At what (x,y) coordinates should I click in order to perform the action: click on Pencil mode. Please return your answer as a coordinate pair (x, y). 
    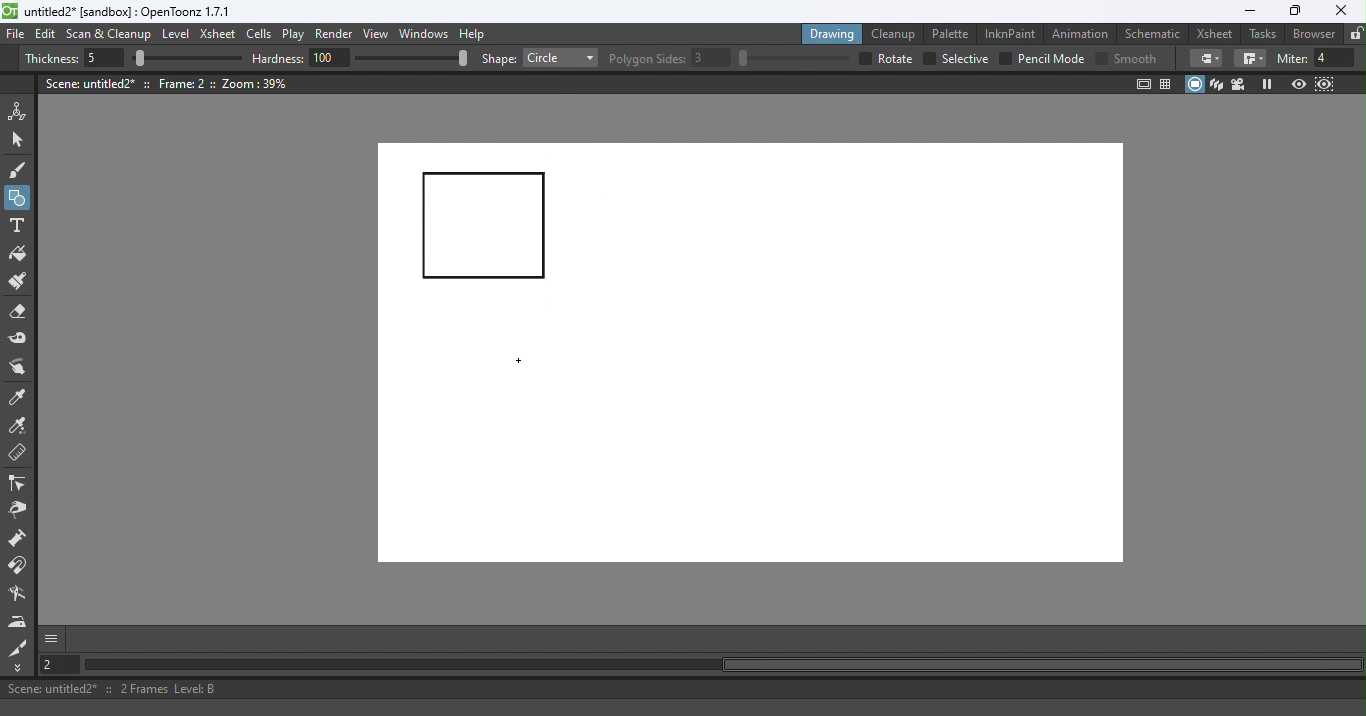
    Looking at the image, I should click on (1050, 59).